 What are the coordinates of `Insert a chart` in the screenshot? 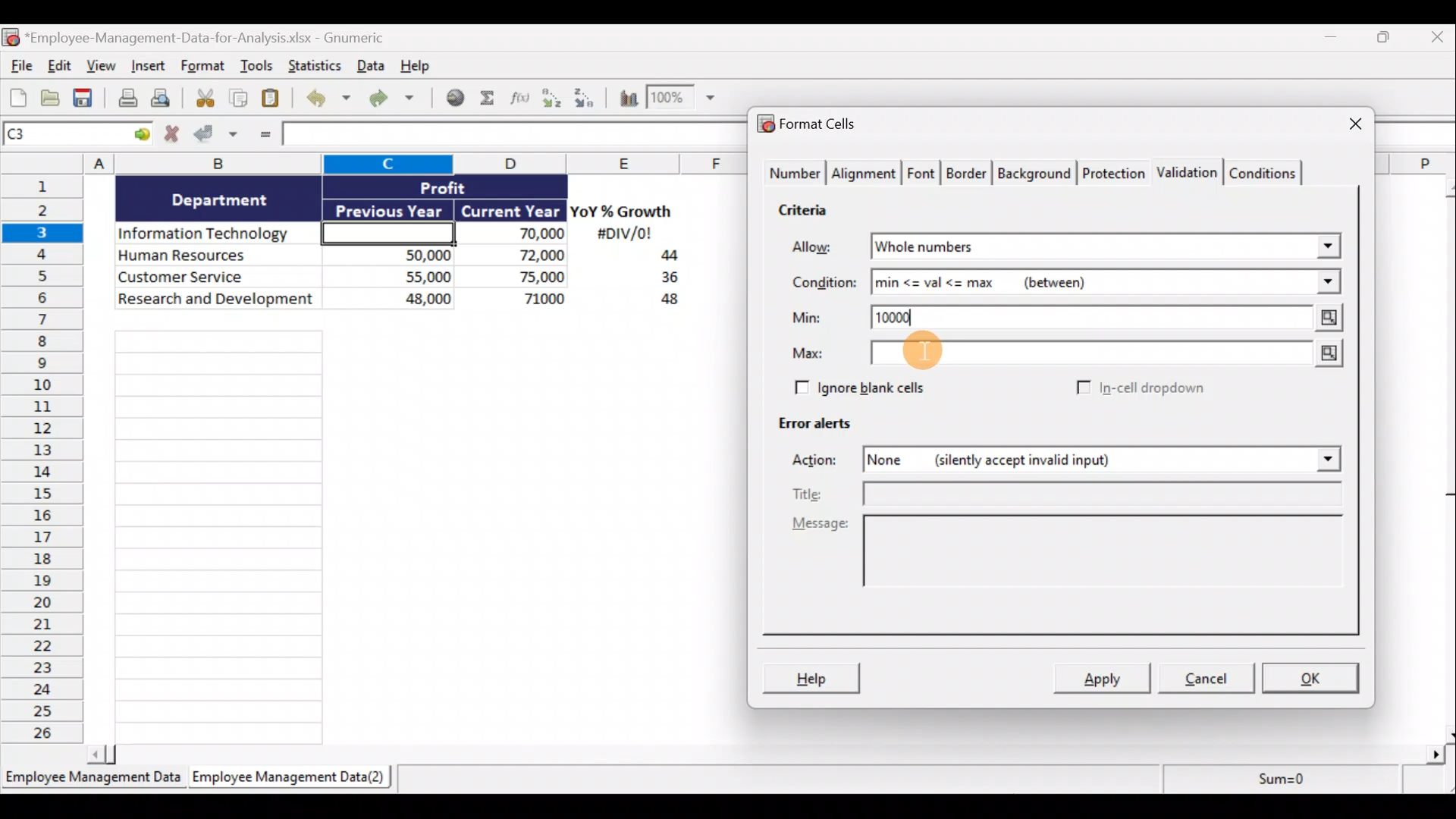 It's located at (622, 97).